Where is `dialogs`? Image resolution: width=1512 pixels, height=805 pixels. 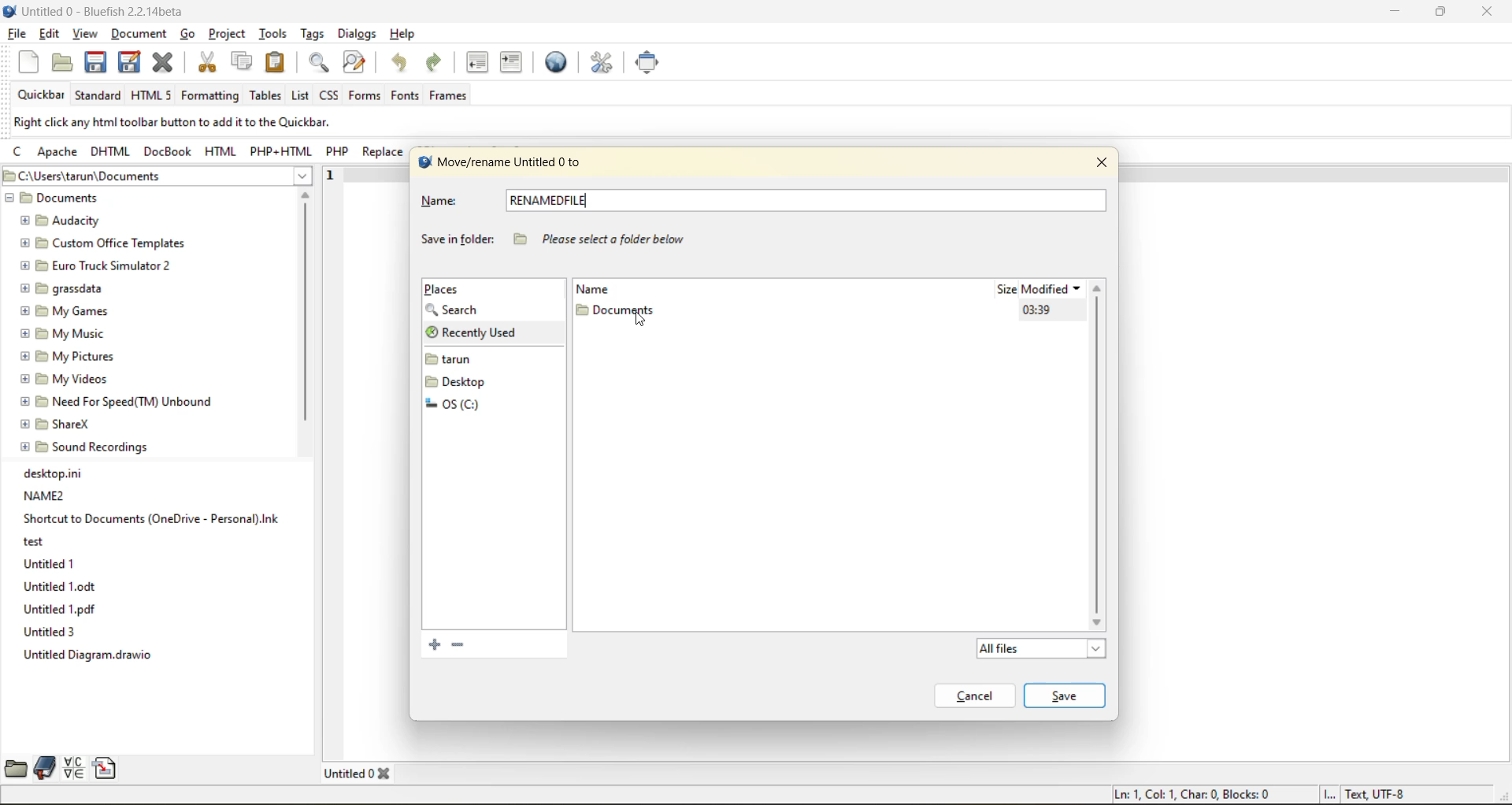
dialogs is located at coordinates (358, 36).